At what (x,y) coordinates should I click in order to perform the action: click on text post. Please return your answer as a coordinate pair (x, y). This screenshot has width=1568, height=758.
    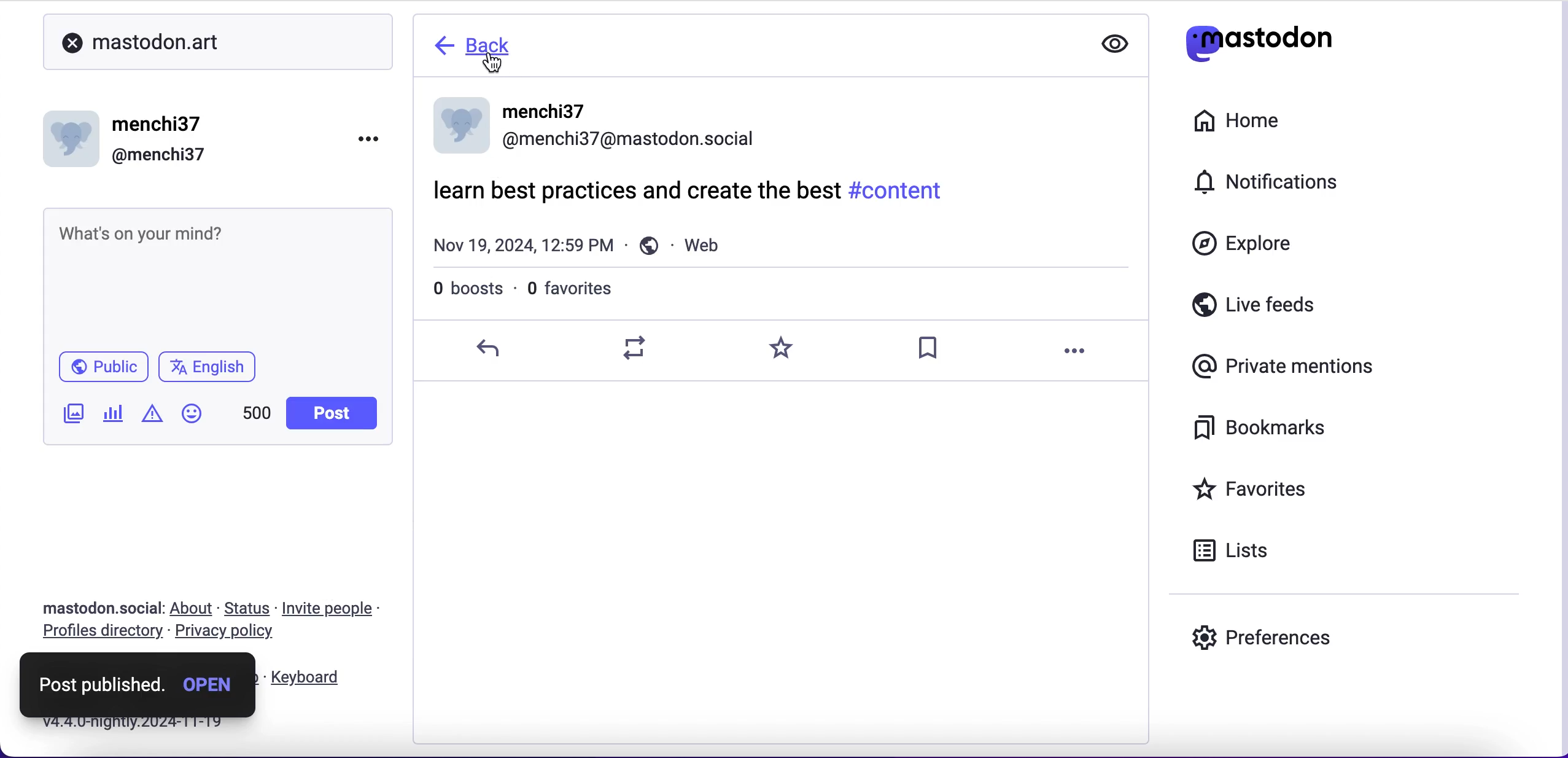
    Looking at the image, I should click on (138, 232).